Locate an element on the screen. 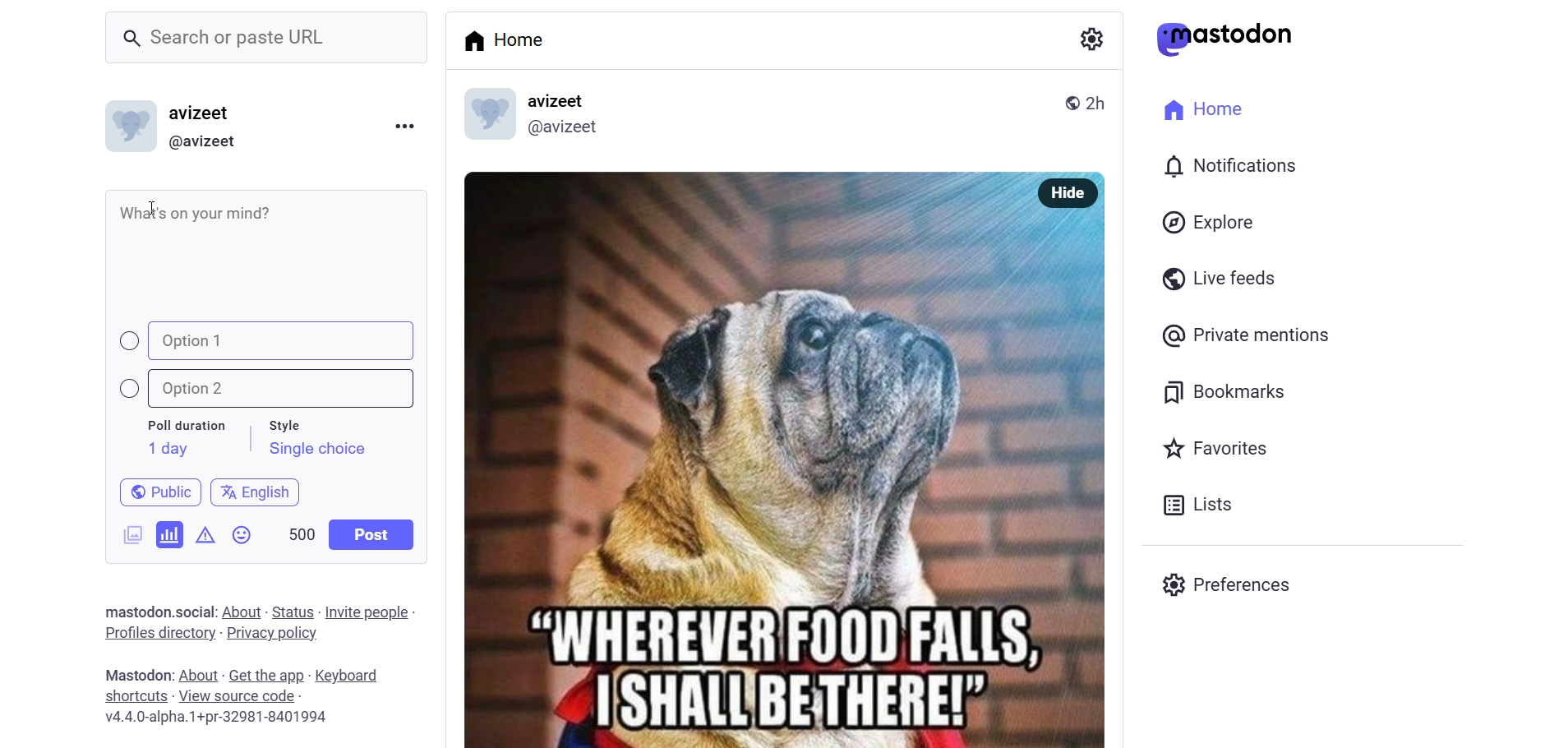  emoji is located at coordinates (243, 538).